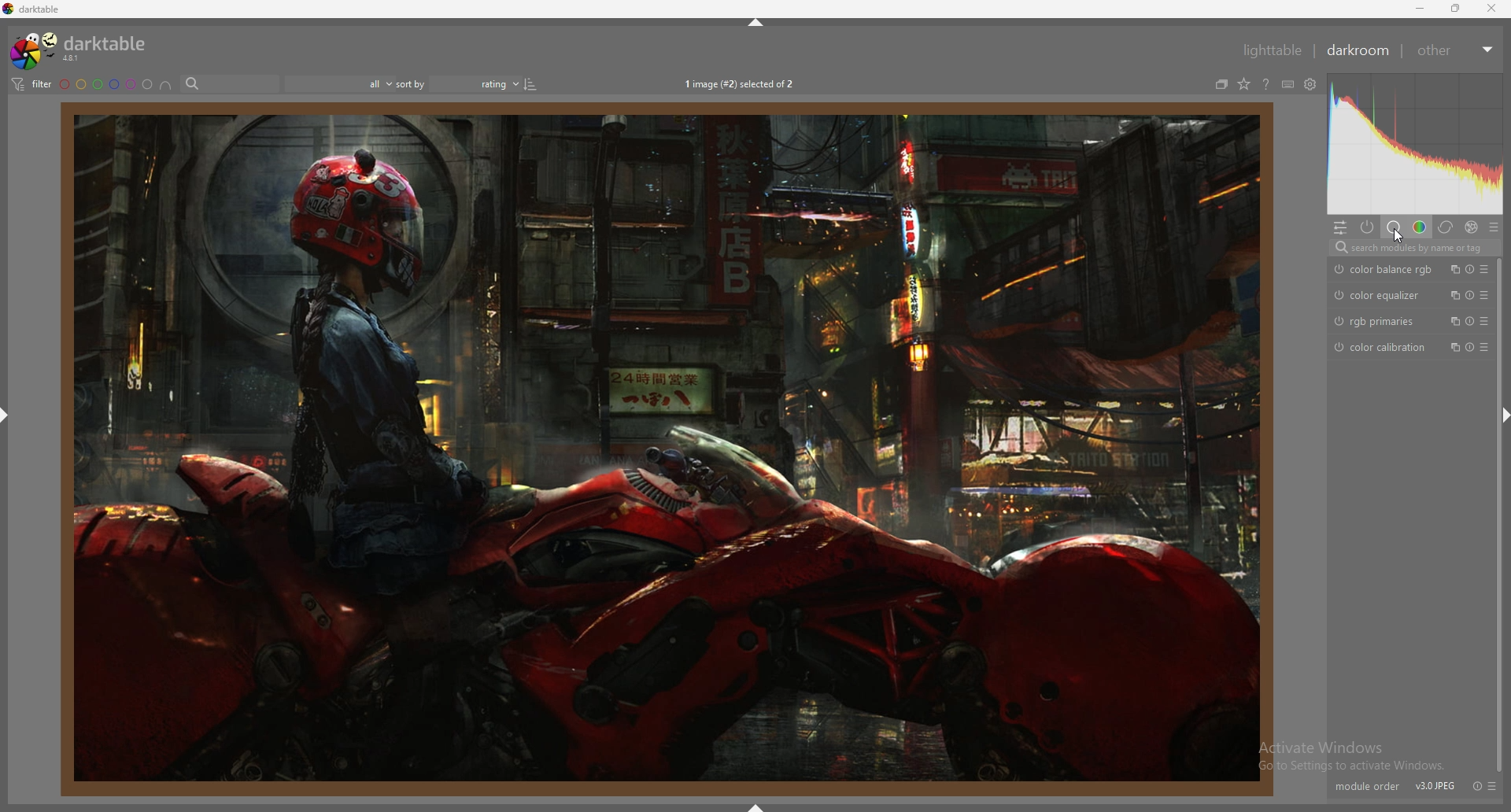 This screenshot has width=1511, height=812. I want to click on presets, so click(1493, 788).